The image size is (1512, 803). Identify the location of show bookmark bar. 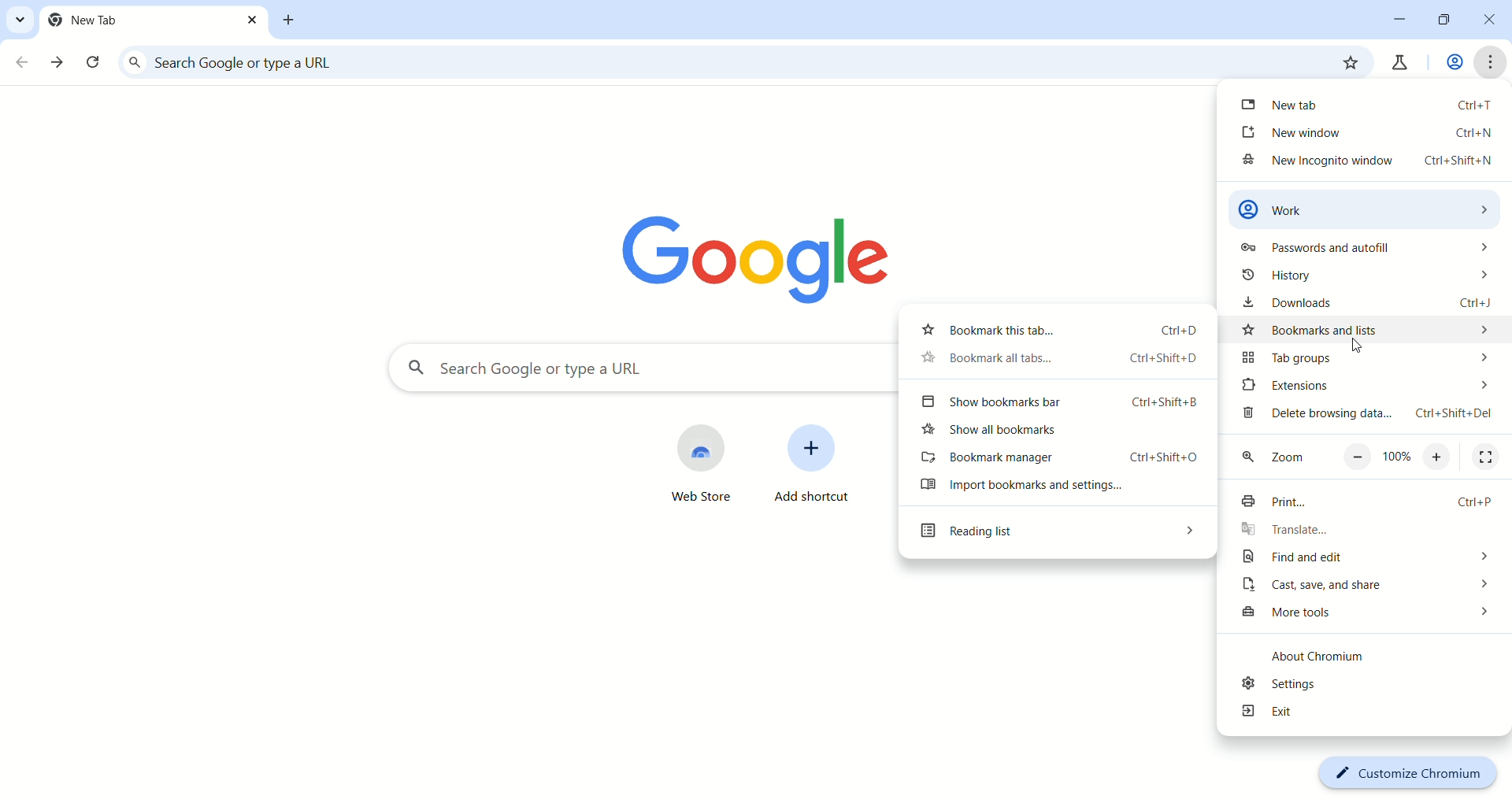
(1061, 403).